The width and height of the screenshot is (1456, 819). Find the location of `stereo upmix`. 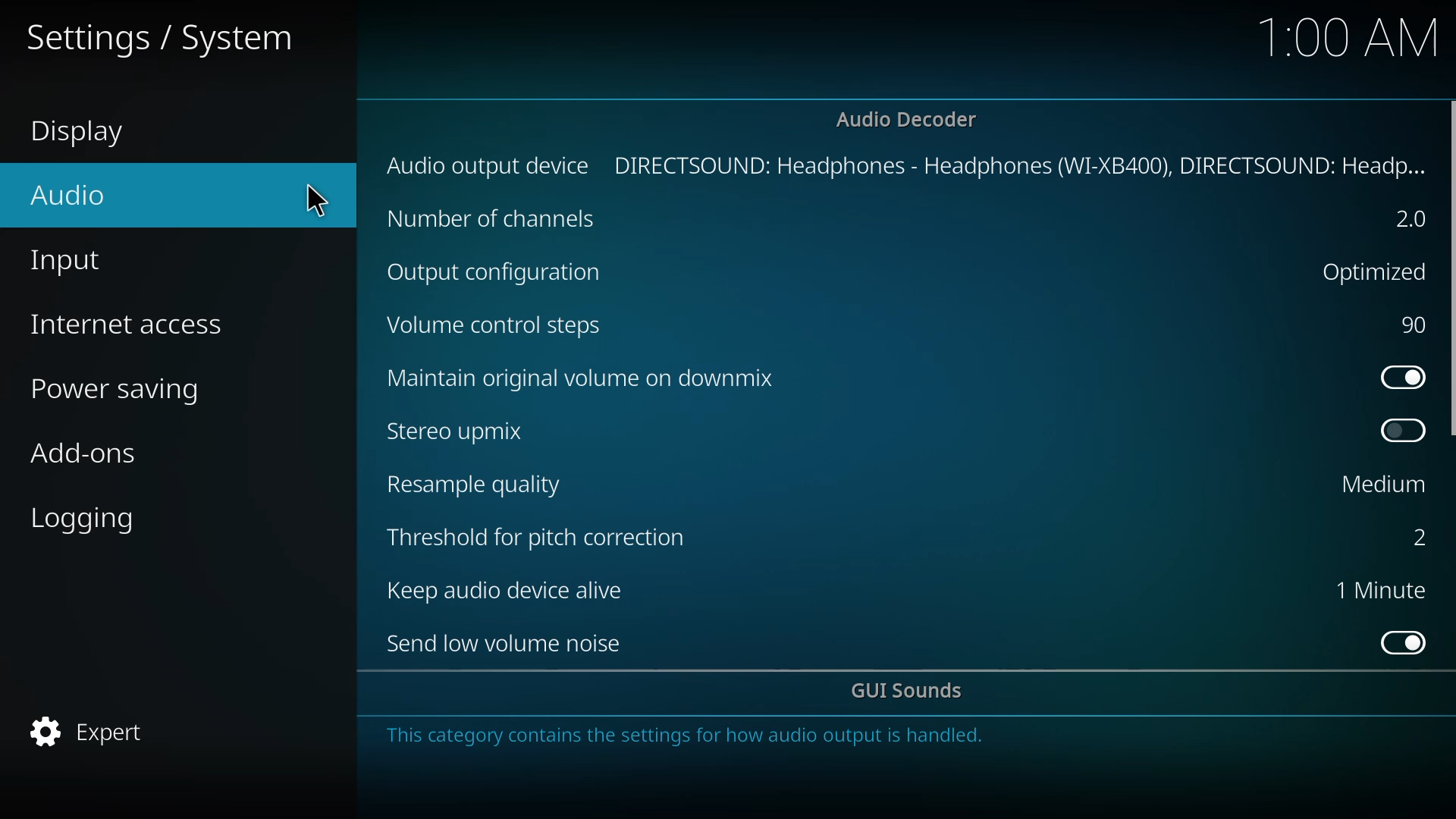

stereo upmix is located at coordinates (457, 432).